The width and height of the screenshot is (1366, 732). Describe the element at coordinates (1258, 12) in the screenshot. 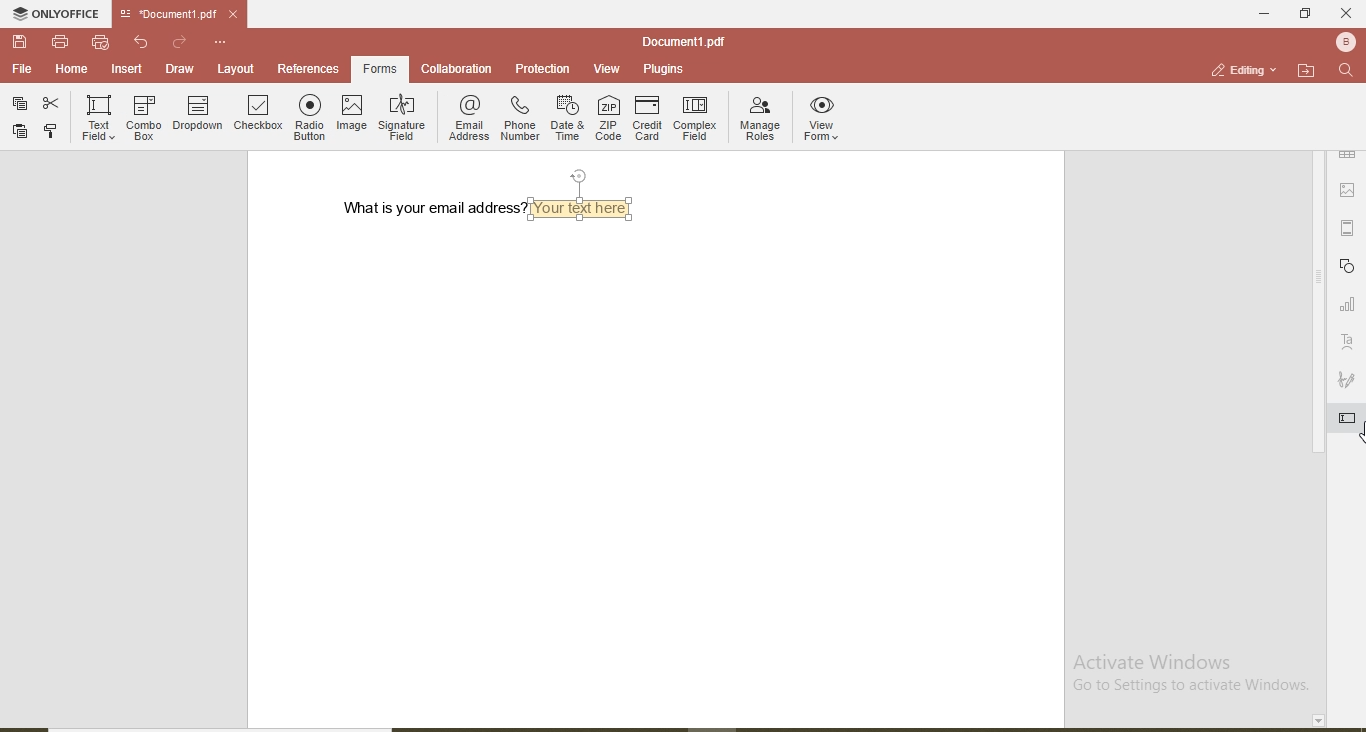

I see `minimise` at that location.